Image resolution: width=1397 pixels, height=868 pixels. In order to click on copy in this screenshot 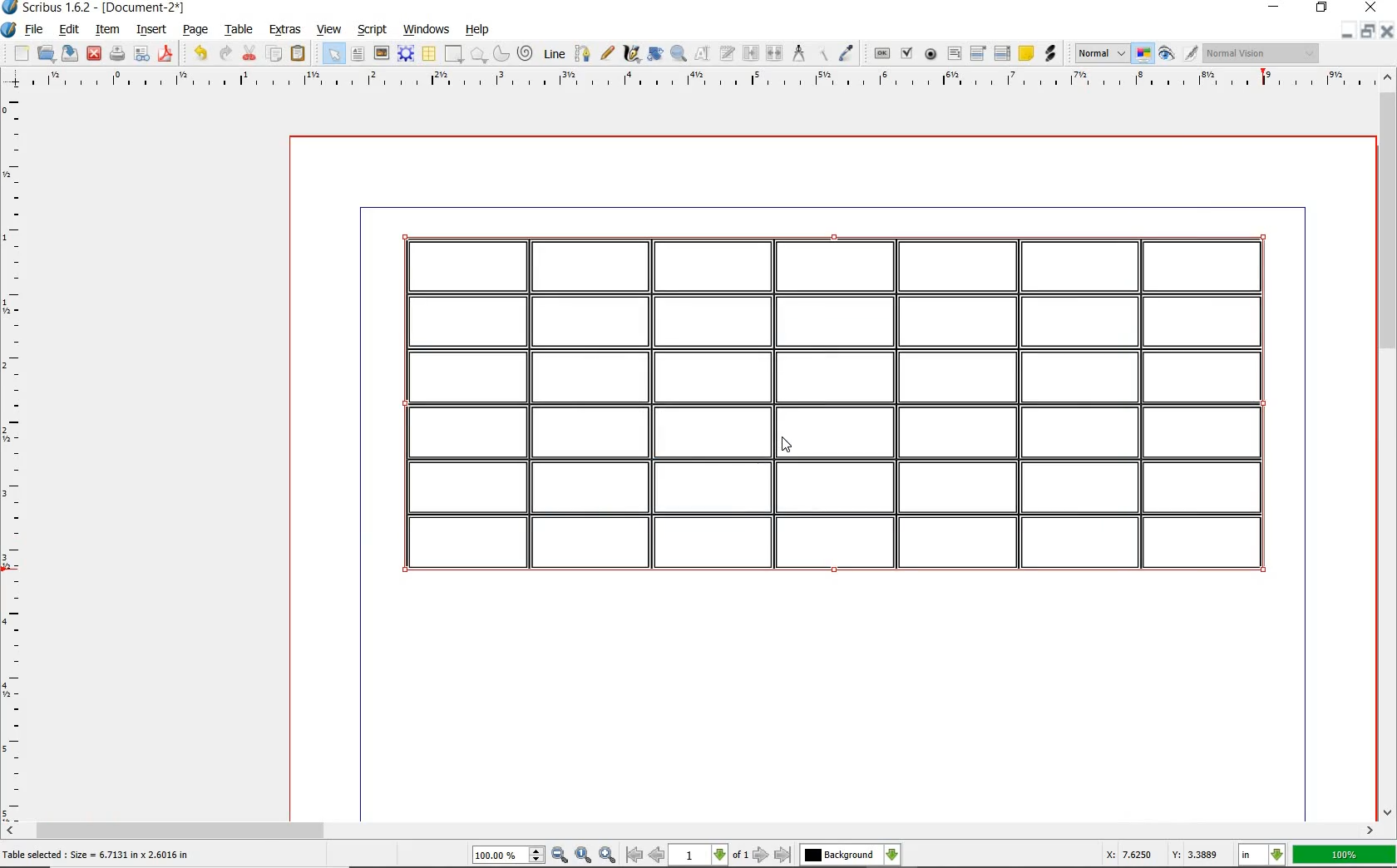, I will do `click(275, 55)`.